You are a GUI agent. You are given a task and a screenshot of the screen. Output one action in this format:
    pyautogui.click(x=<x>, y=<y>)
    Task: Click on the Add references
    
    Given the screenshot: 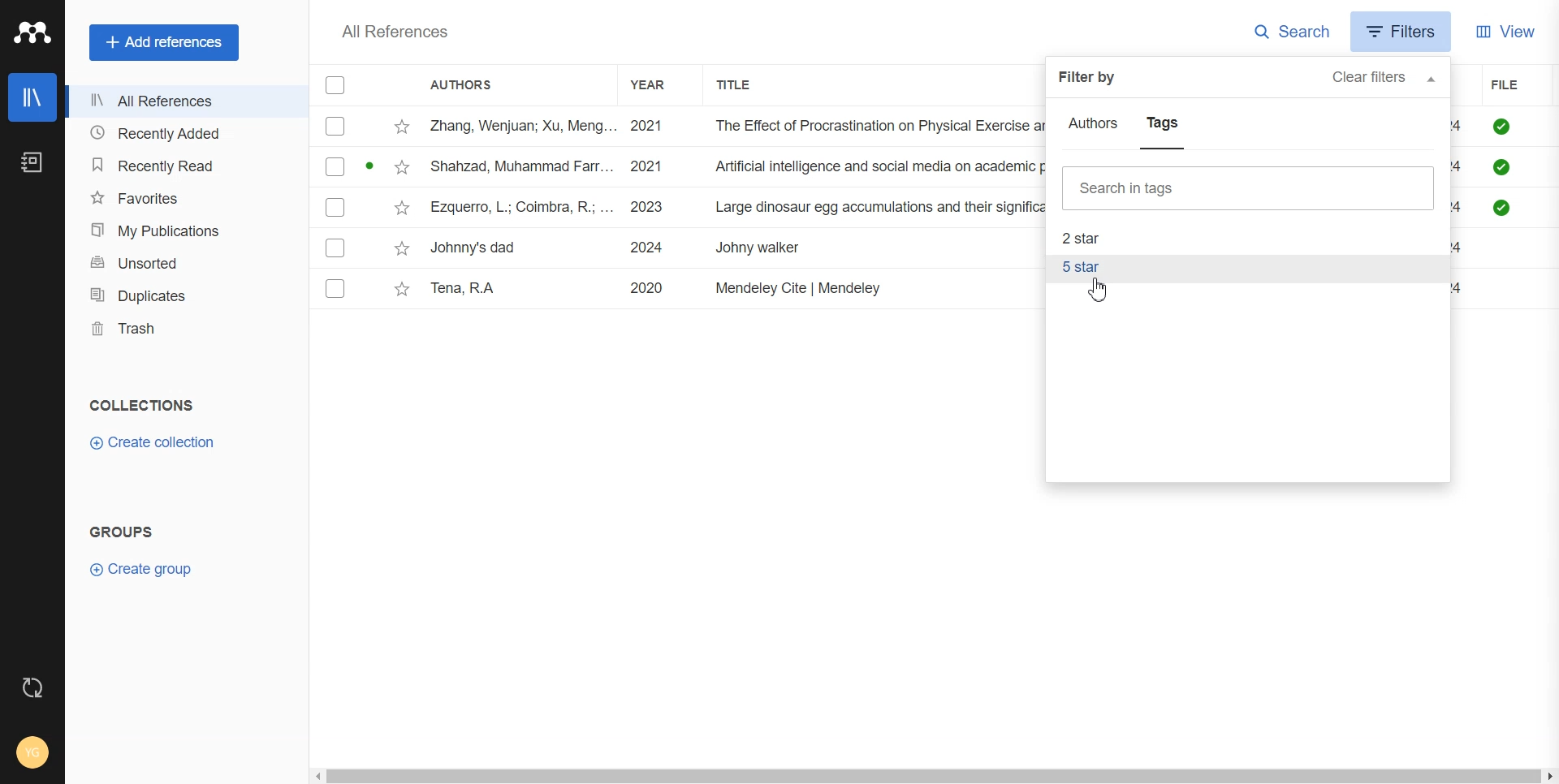 What is the action you would take?
    pyautogui.click(x=164, y=41)
    